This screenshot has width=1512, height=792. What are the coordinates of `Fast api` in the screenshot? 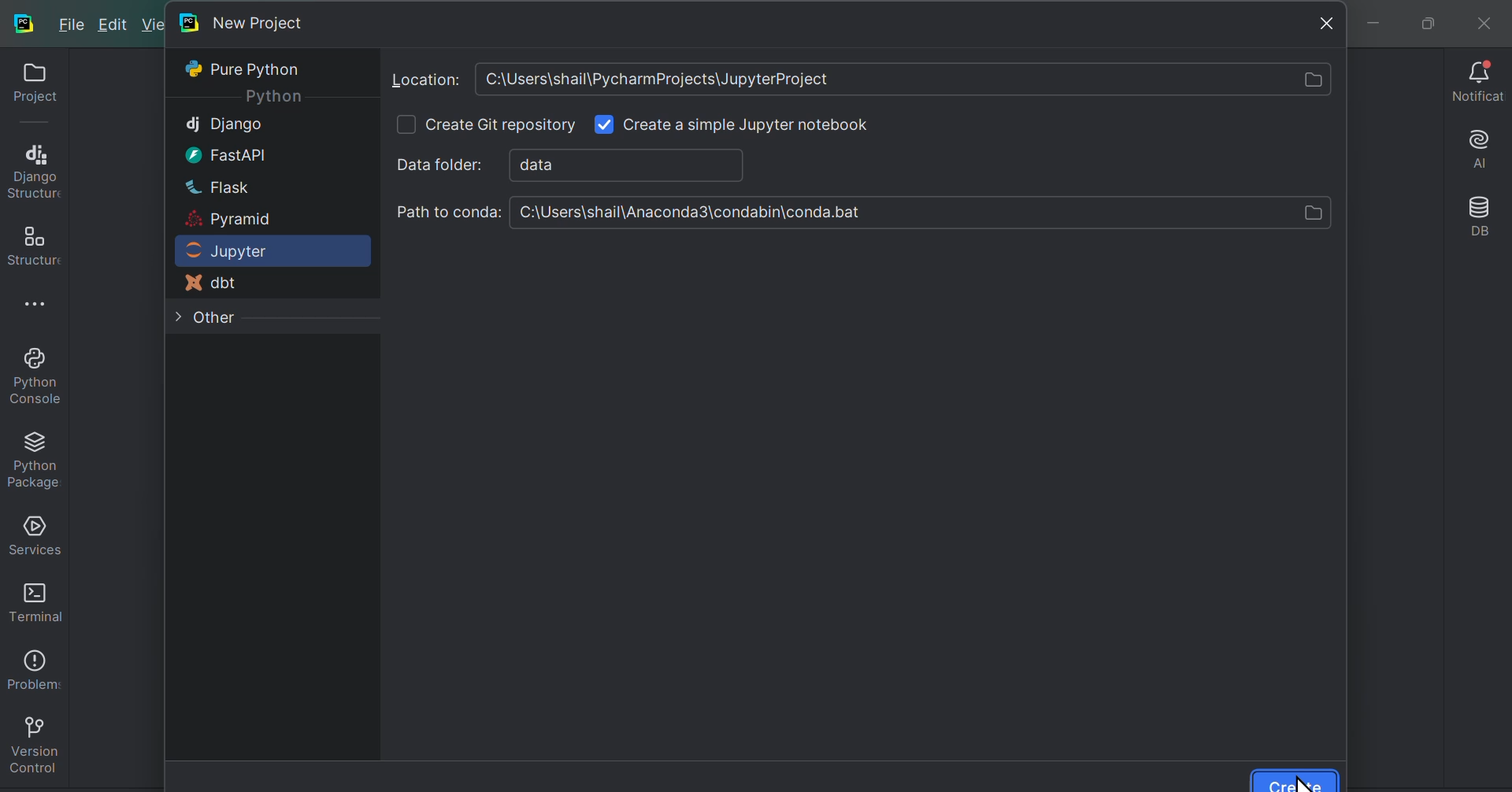 It's located at (220, 154).